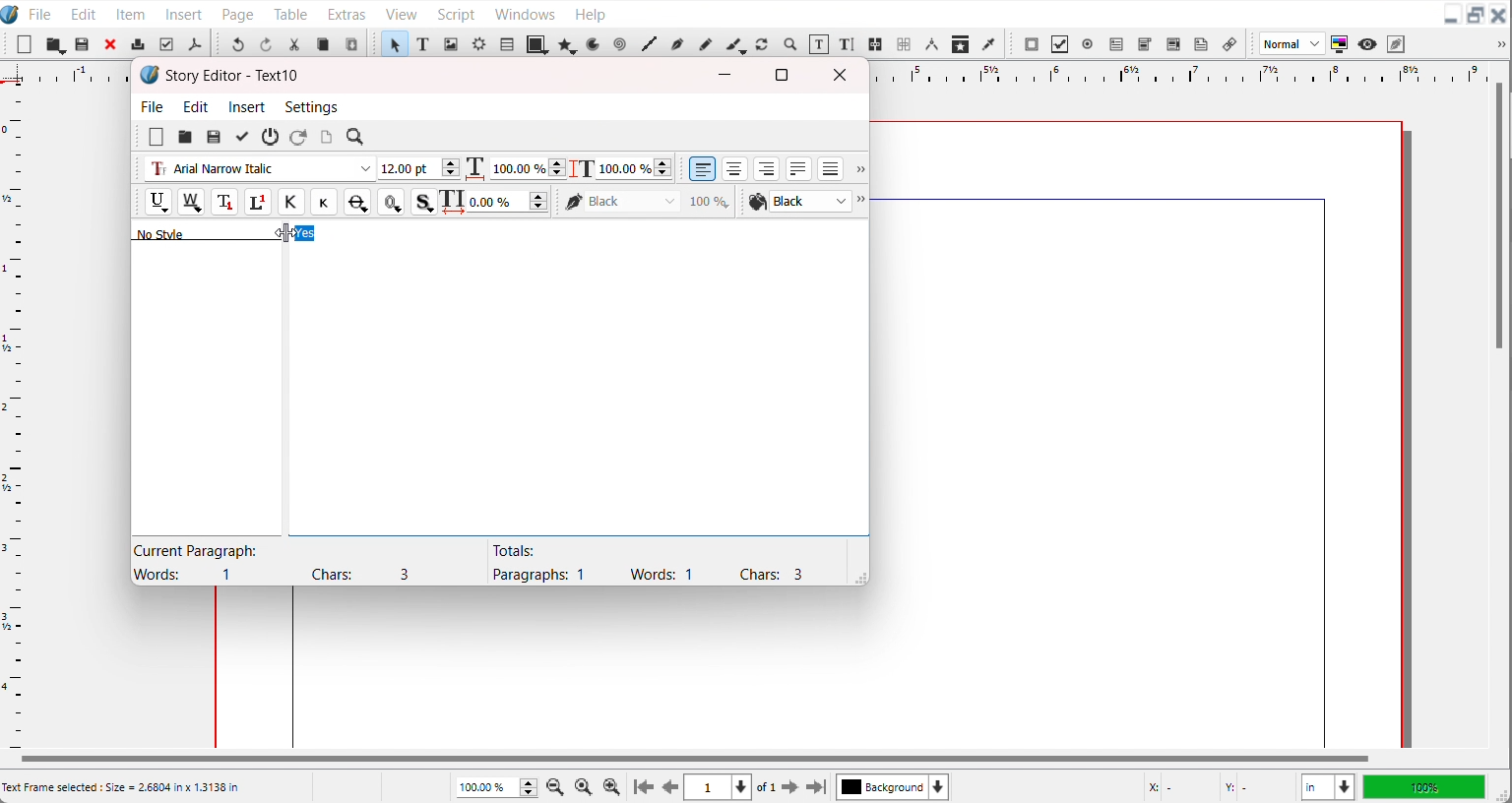 Image resolution: width=1512 pixels, height=803 pixels. What do you see at coordinates (931, 44) in the screenshot?
I see `Measurements` at bounding box center [931, 44].